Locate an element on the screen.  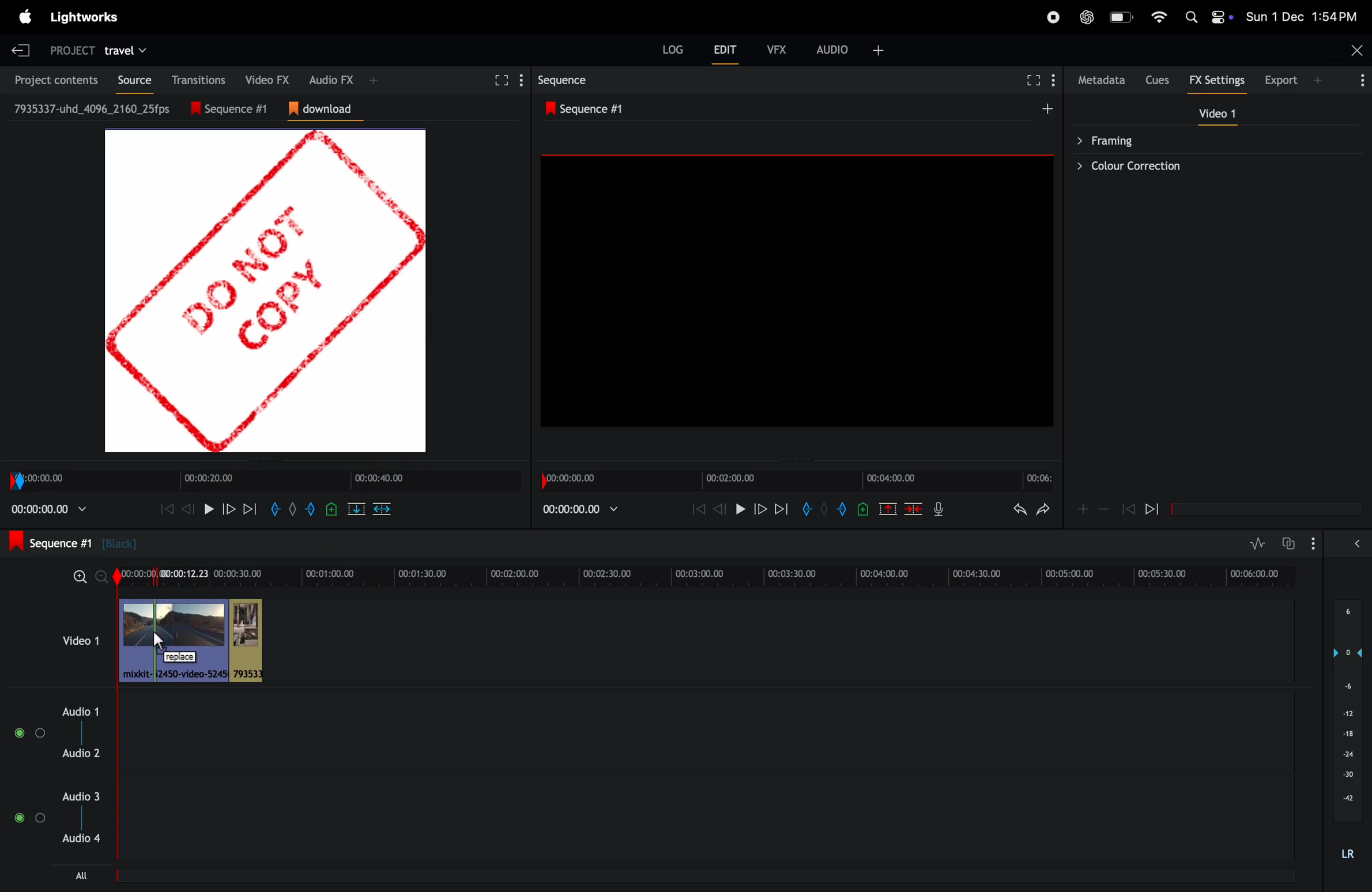
add to current position is located at coordinates (331, 509).